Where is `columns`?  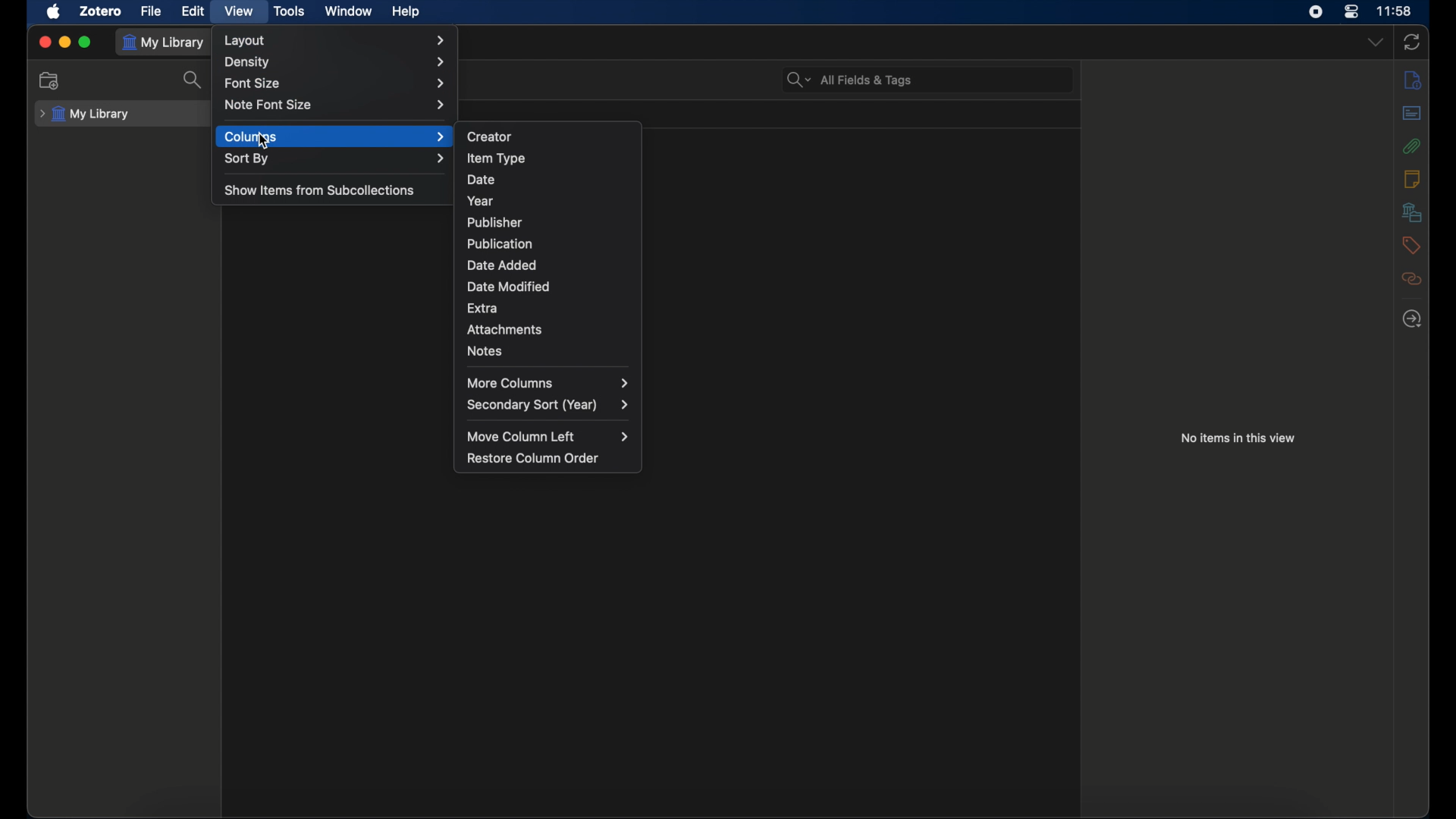 columns is located at coordinates (334, 137).